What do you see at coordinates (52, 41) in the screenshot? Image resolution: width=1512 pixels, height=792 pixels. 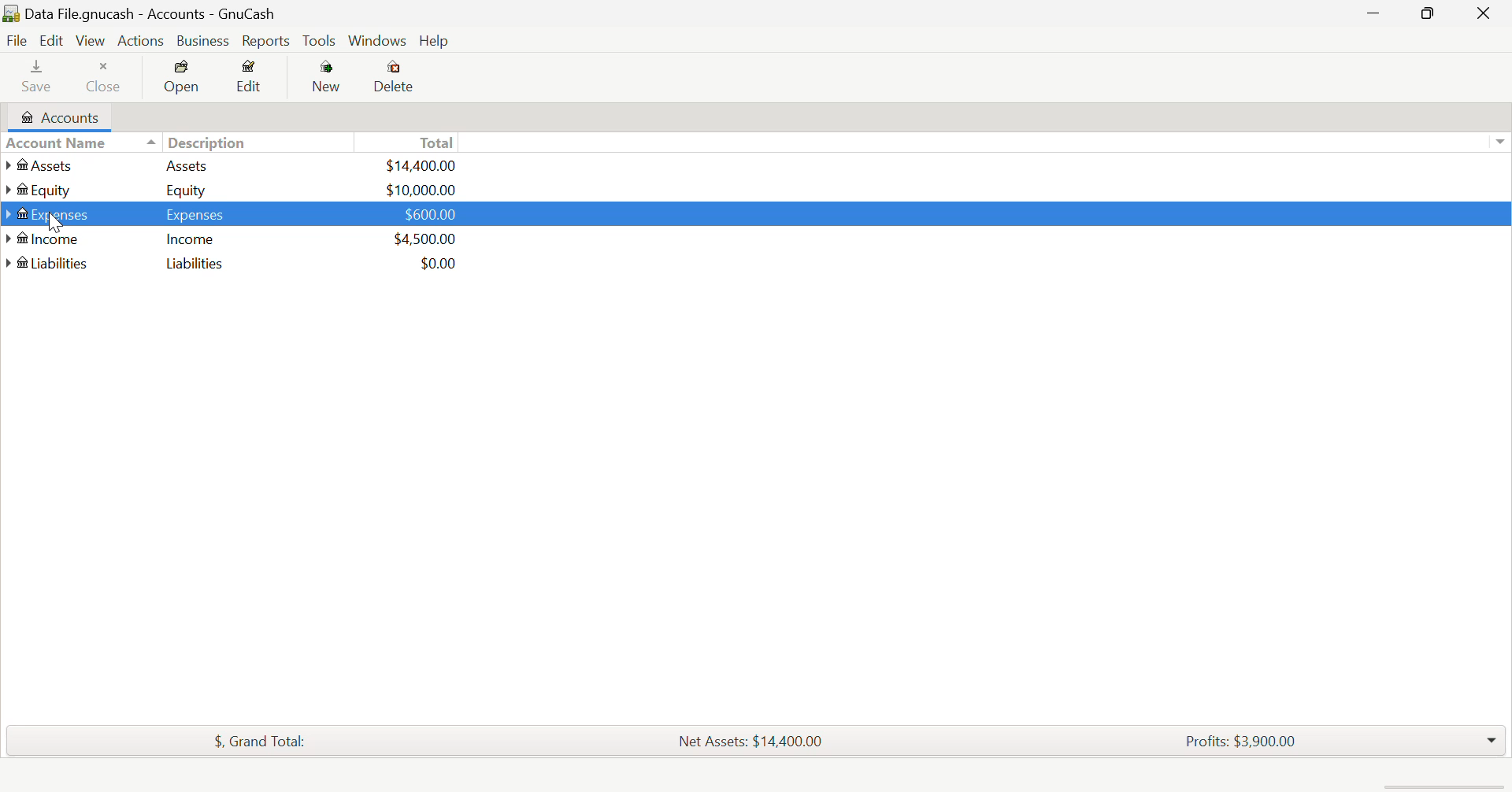 I see `Edit` at bounding box center [52, 41].